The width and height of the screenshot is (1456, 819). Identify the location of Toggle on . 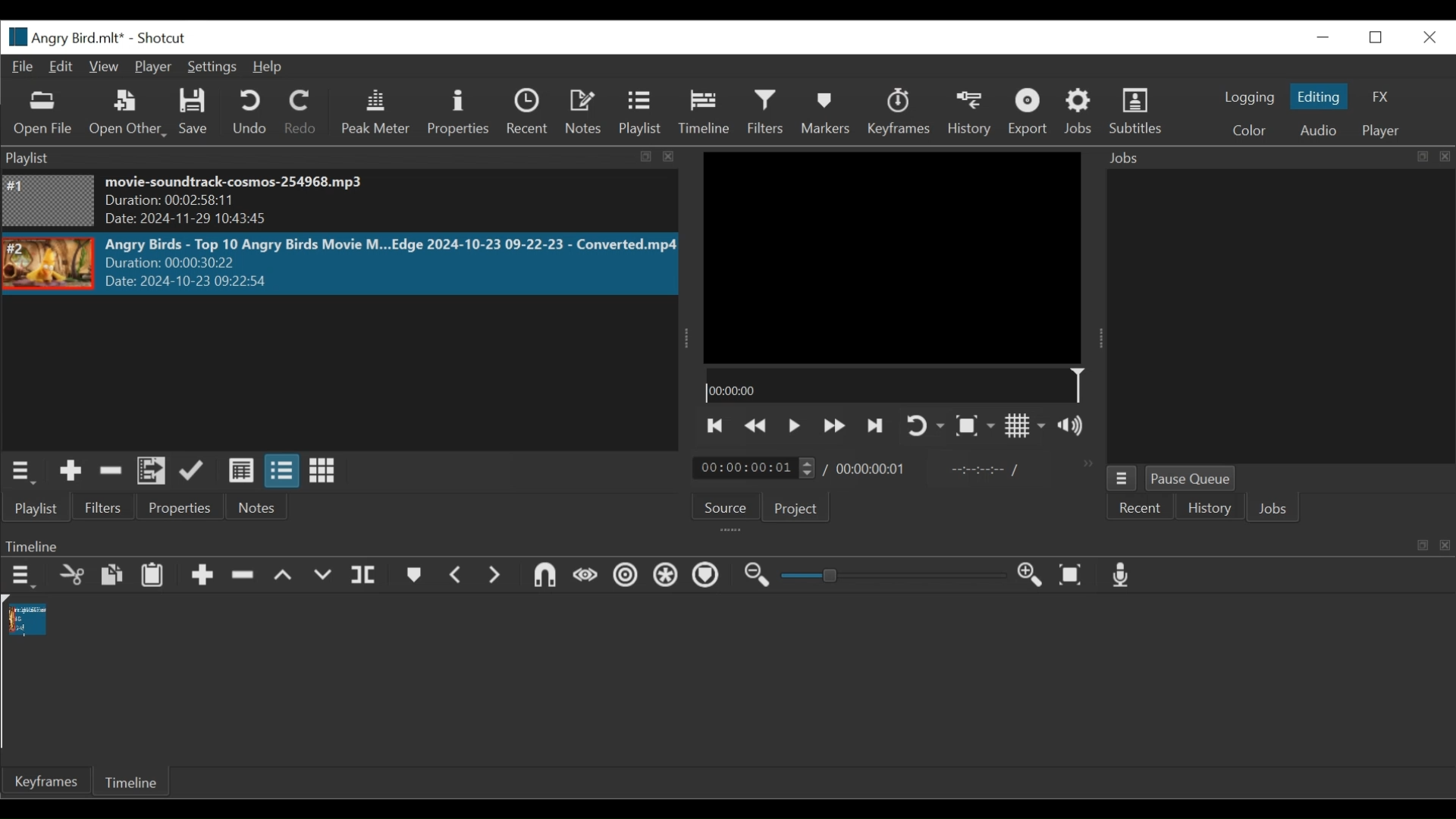
(927, 425).